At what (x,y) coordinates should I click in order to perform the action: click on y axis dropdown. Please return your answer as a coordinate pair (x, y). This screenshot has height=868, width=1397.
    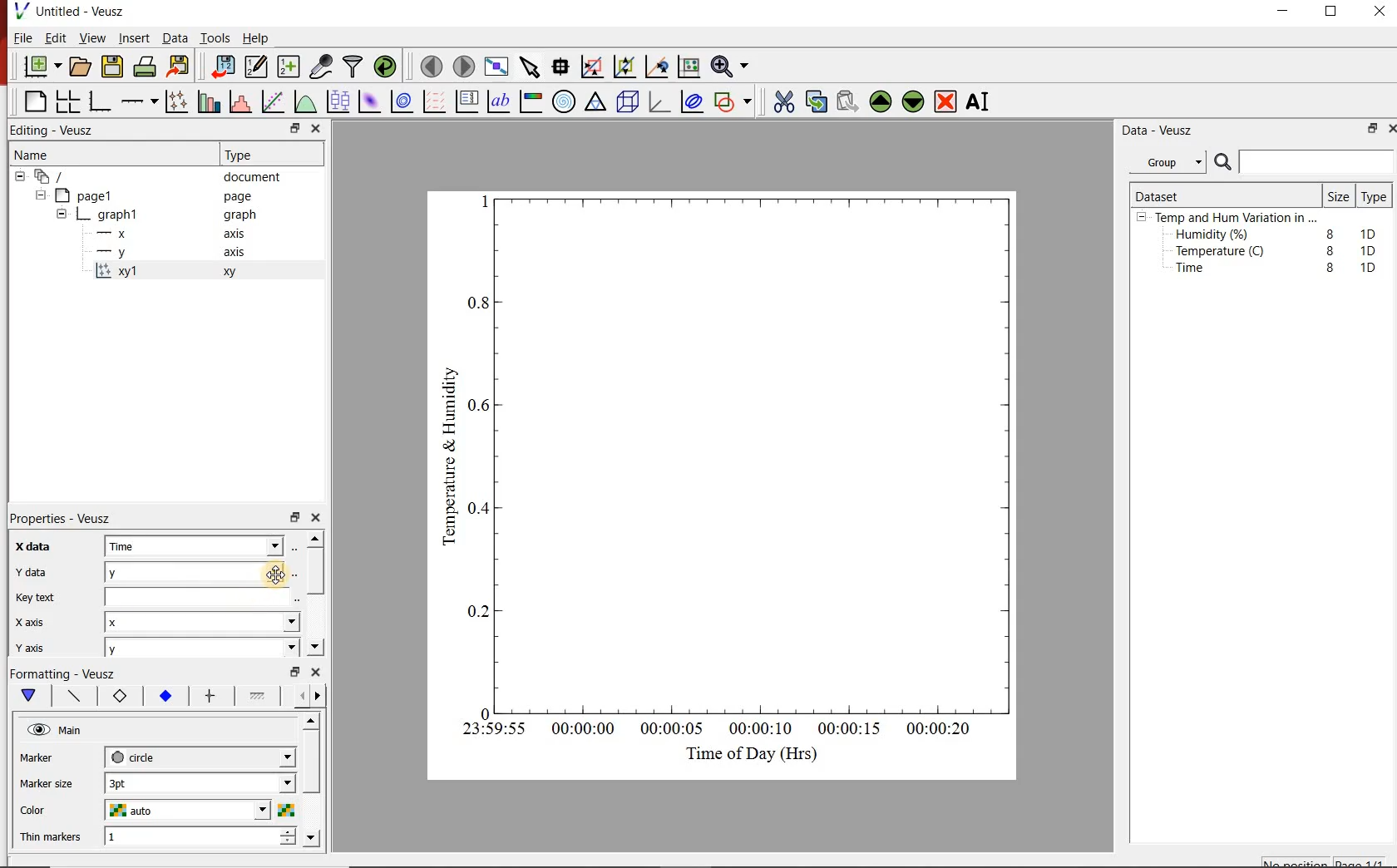
    Looking at the image, I should click on (259, 650).